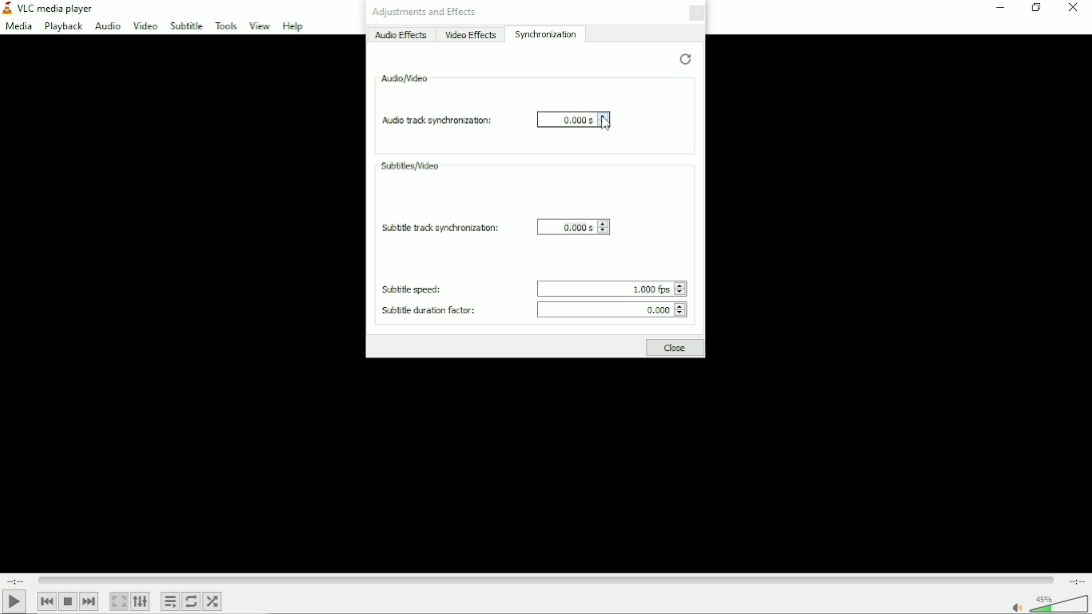 This screenshot has width=1092, height=614. What do you see at coordinates (226, 25) in the screenshot?
I see `Tools` at bounding box center [226, 25].